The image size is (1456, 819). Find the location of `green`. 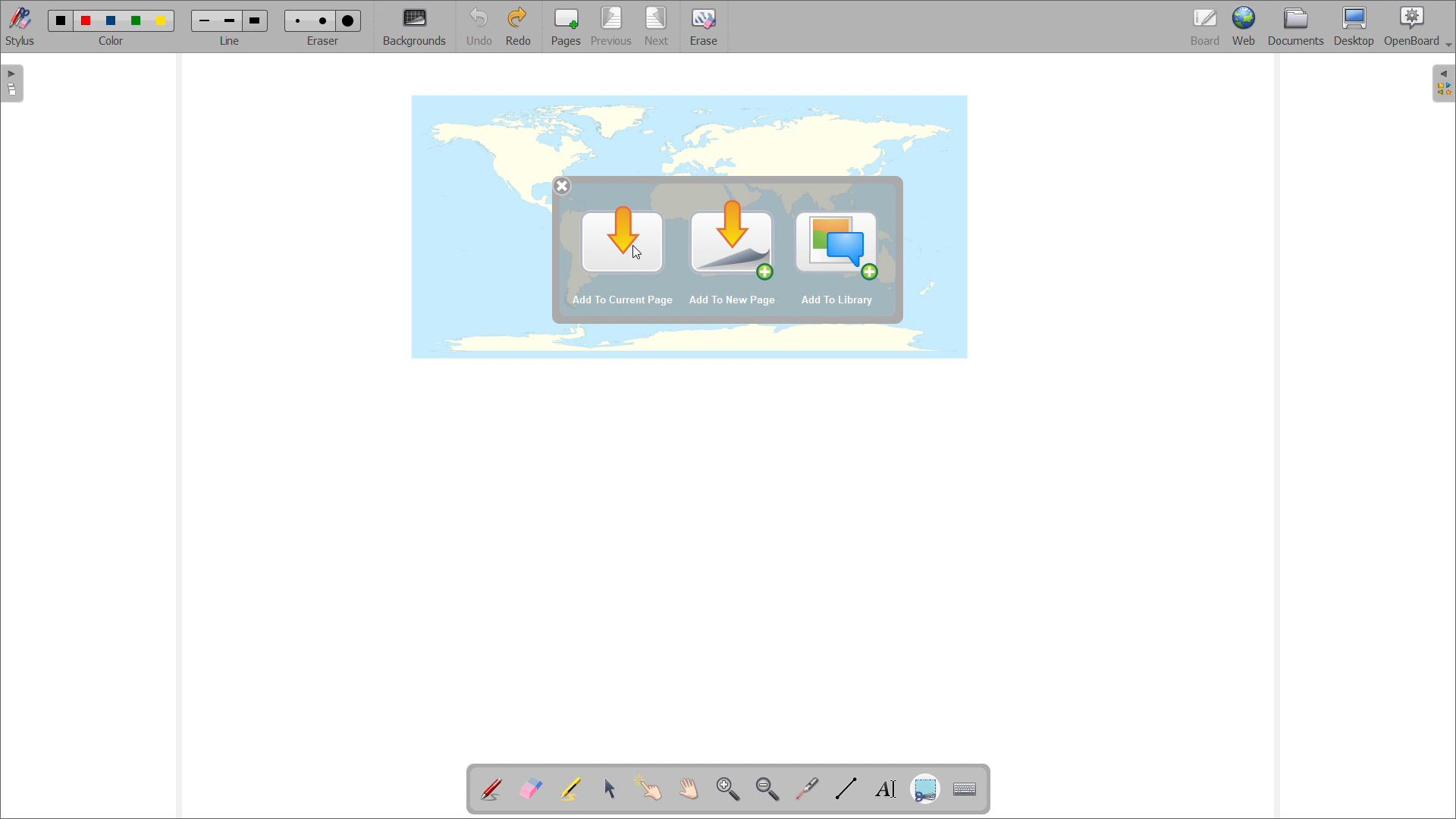

green is located at coordinates (136, 20).